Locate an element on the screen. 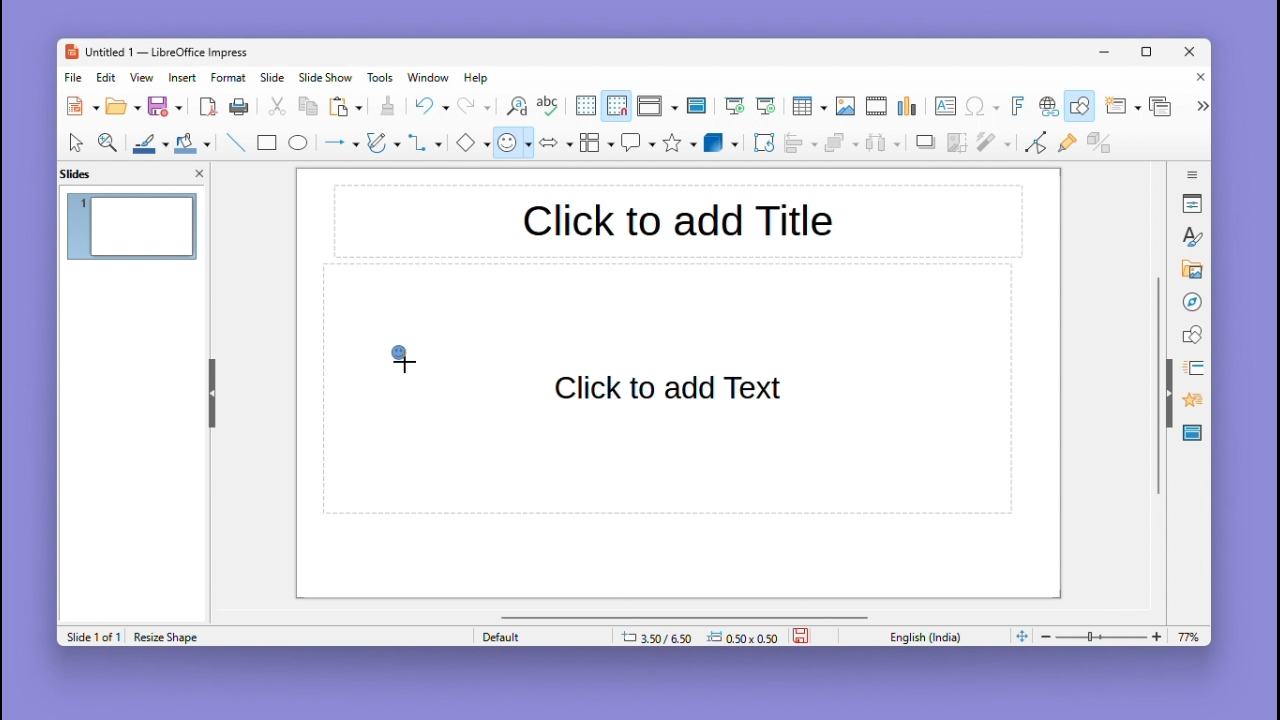  Shadow is located at coordinates (926, 146).